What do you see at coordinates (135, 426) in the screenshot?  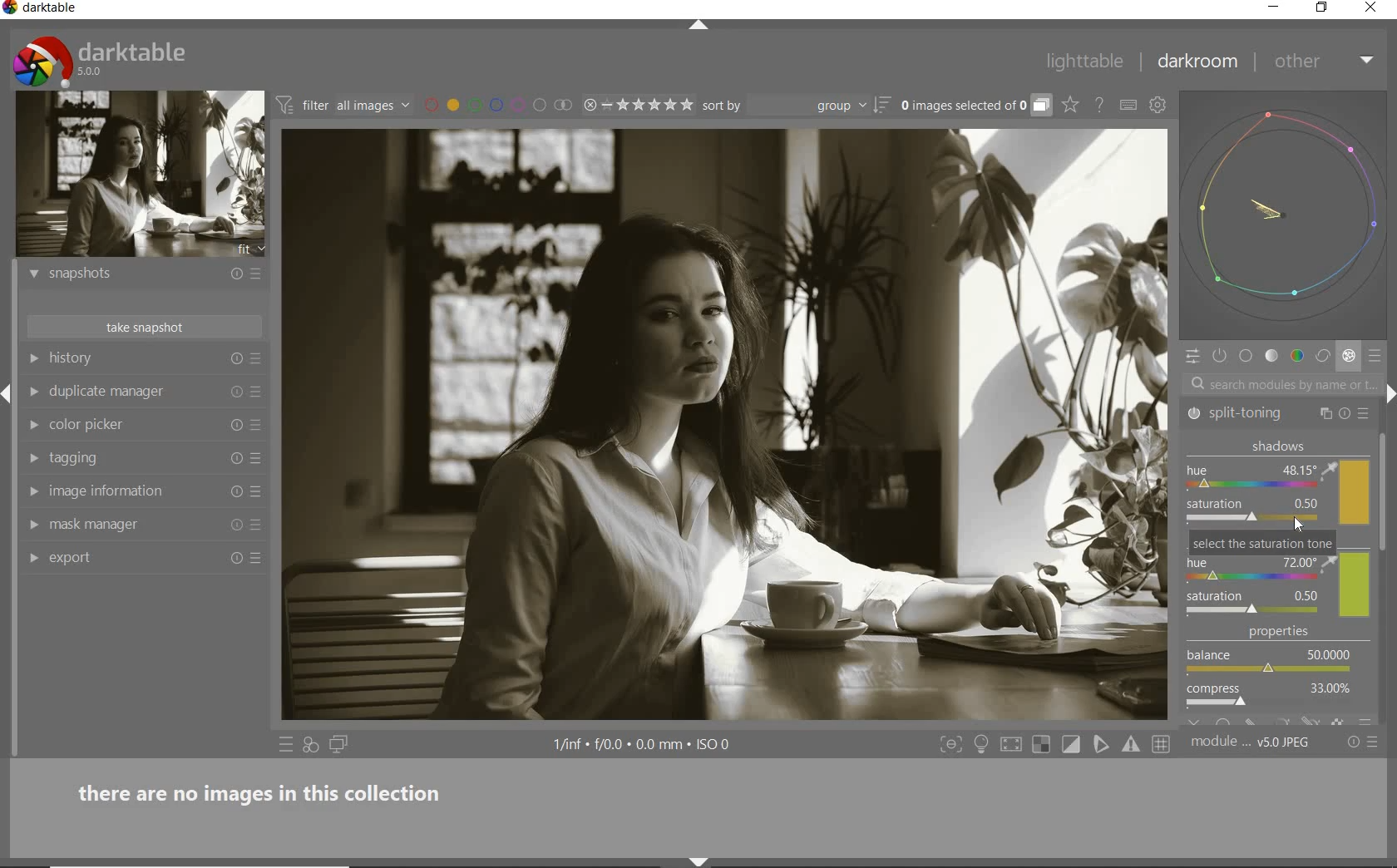 I see `color picker` at bounding box center [135, 426].